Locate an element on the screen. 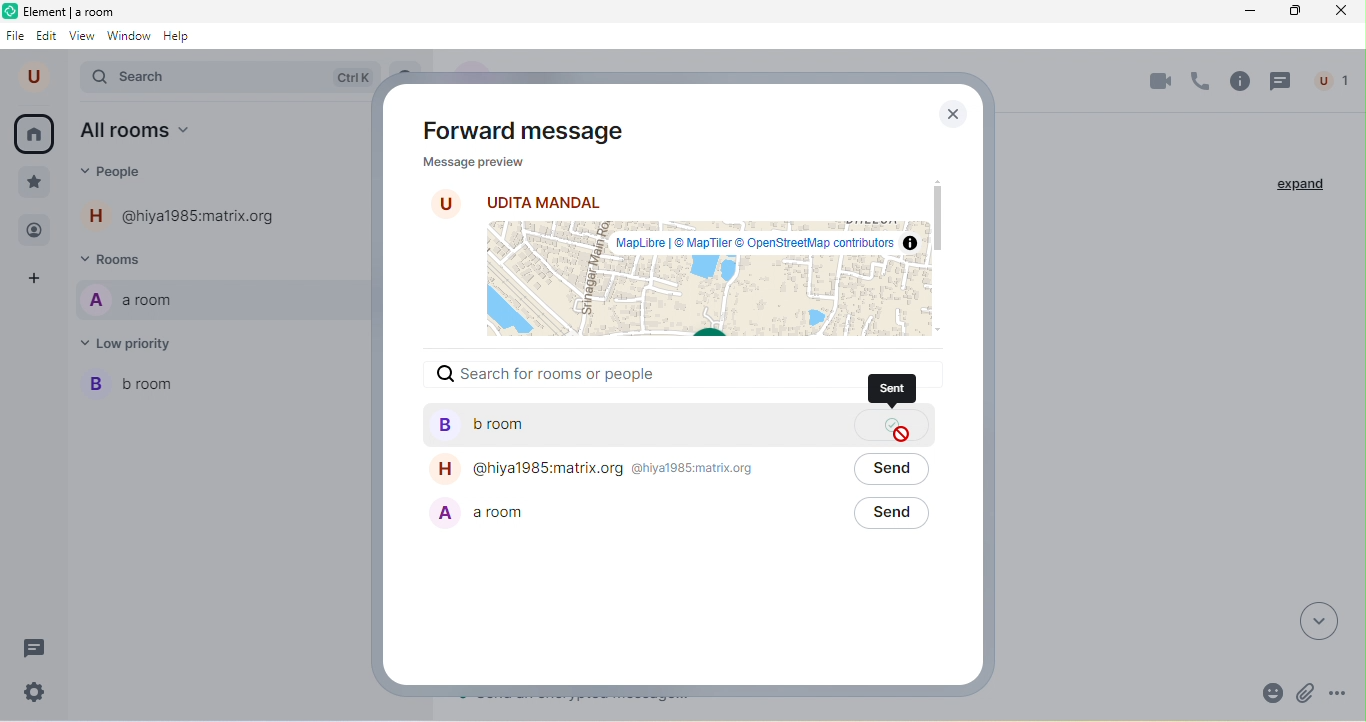 Image resolution: width=1366 pixels, height=722 pixels. search for room or people is located at coordinates (680, 384).